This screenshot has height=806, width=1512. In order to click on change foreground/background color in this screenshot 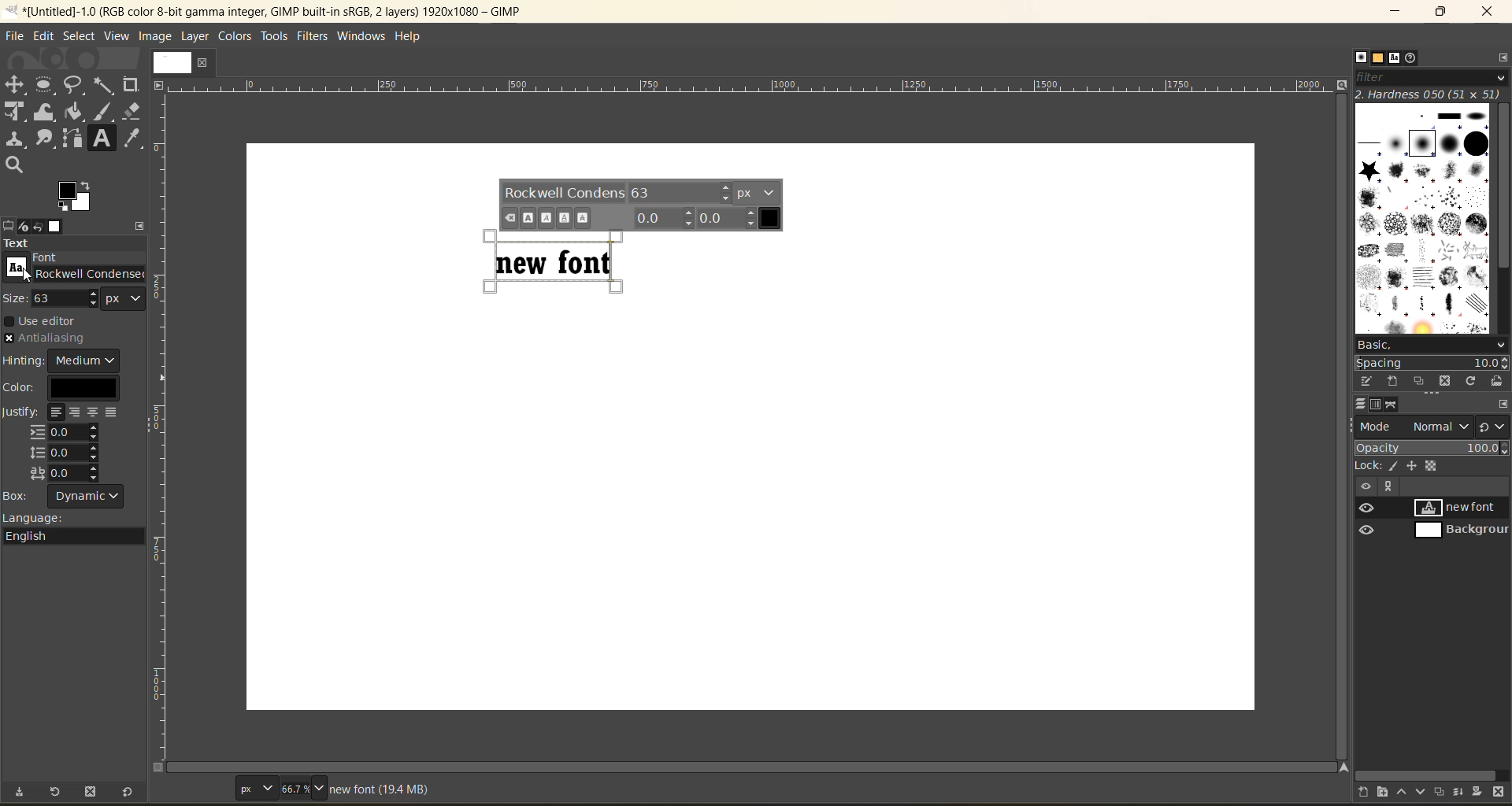, I will do `click(76, 198)`.